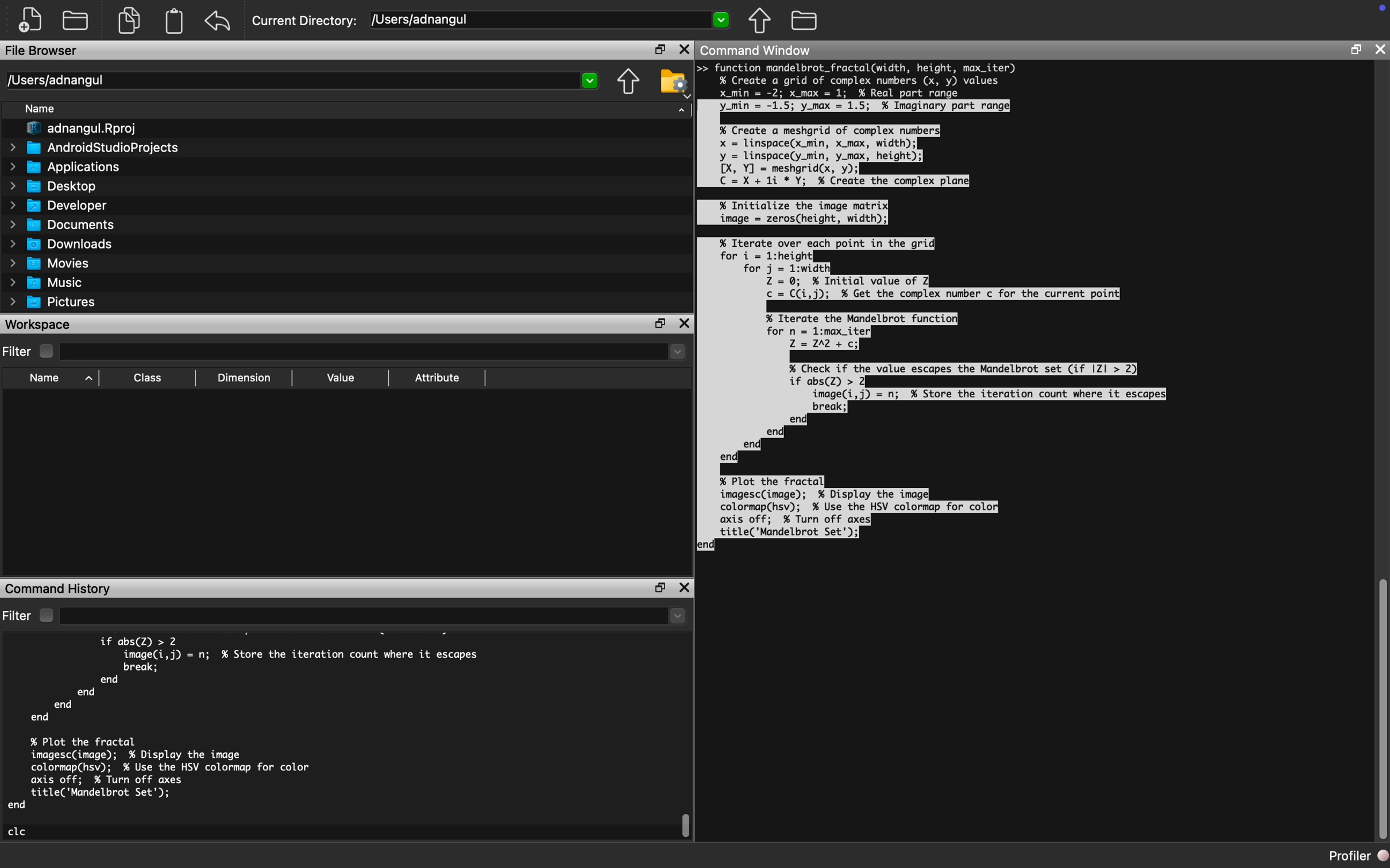  What do you see at coordinates (1379, 50) in the screenshot?
I see `Close ` at bounding box center [1379, 50].